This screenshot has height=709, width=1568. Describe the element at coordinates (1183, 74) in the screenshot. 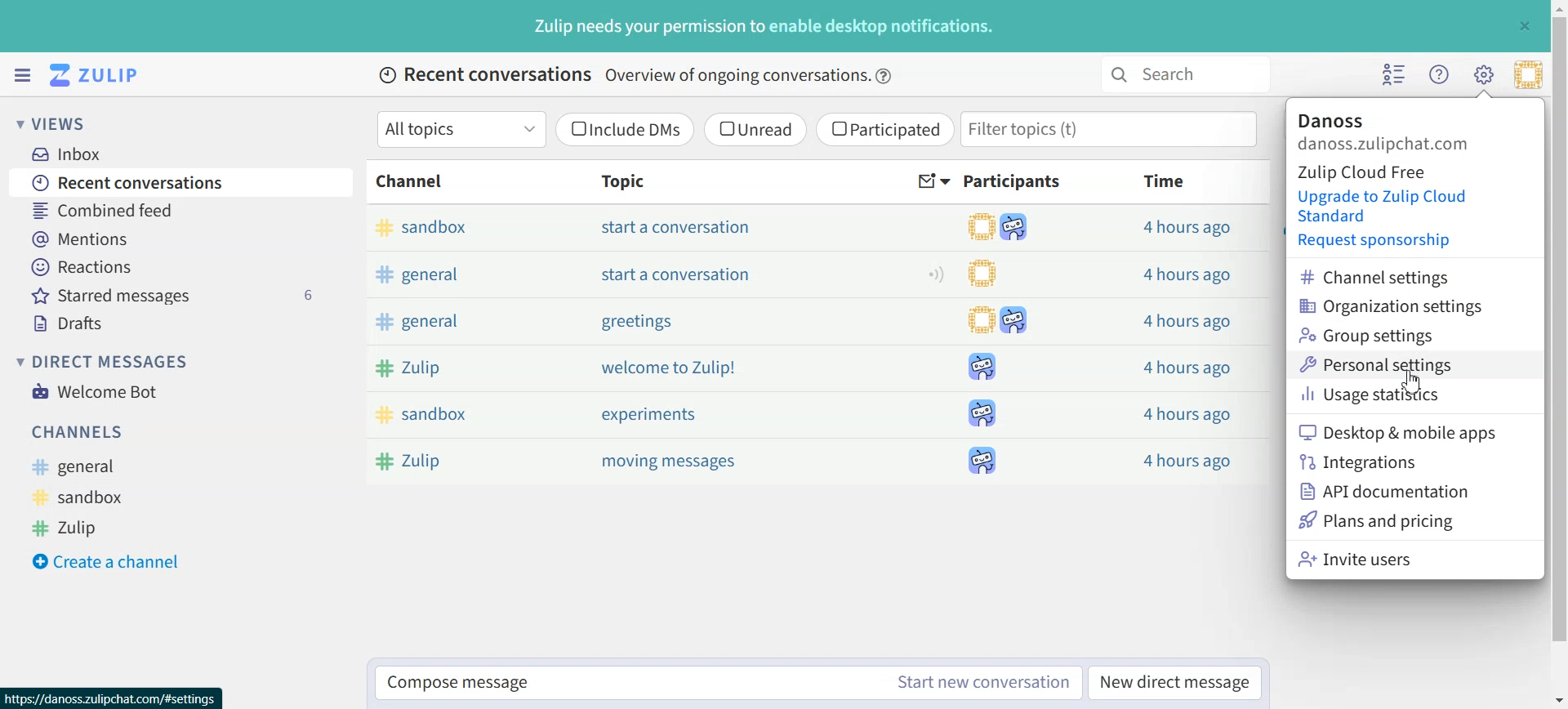

I see `search` at that location.